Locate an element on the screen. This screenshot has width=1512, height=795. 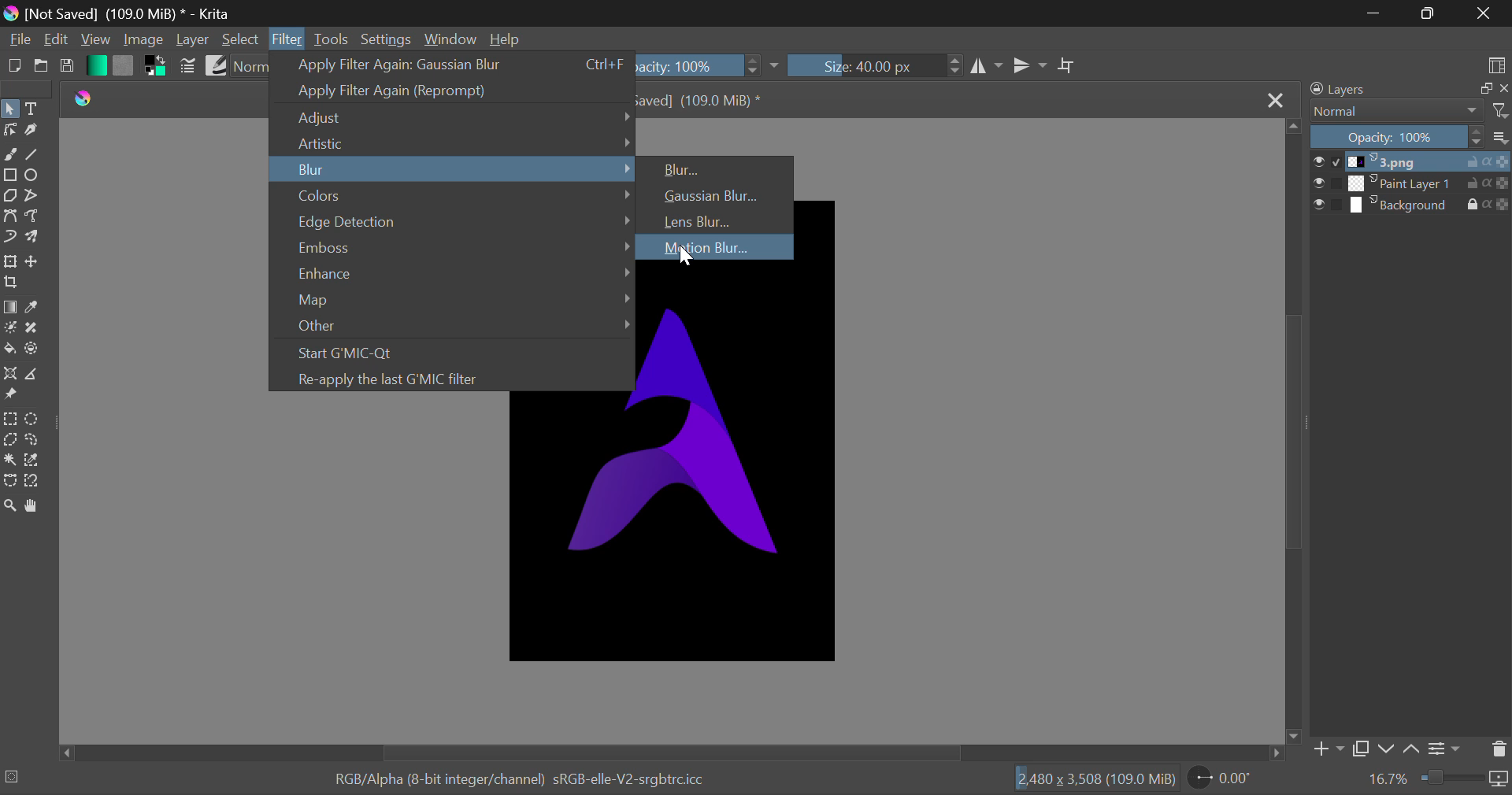
Enclose and Fill is located at coordinates (33, 351).